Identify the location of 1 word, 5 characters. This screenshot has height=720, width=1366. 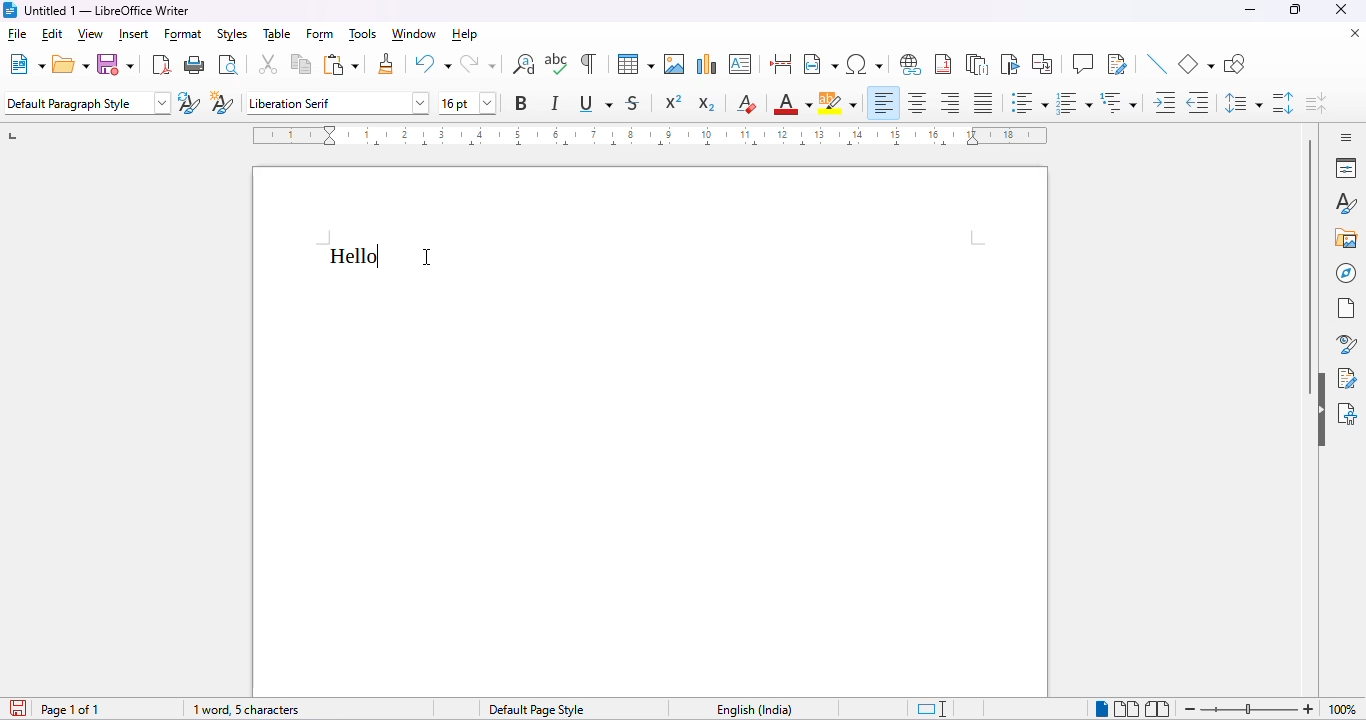
(247, 710).